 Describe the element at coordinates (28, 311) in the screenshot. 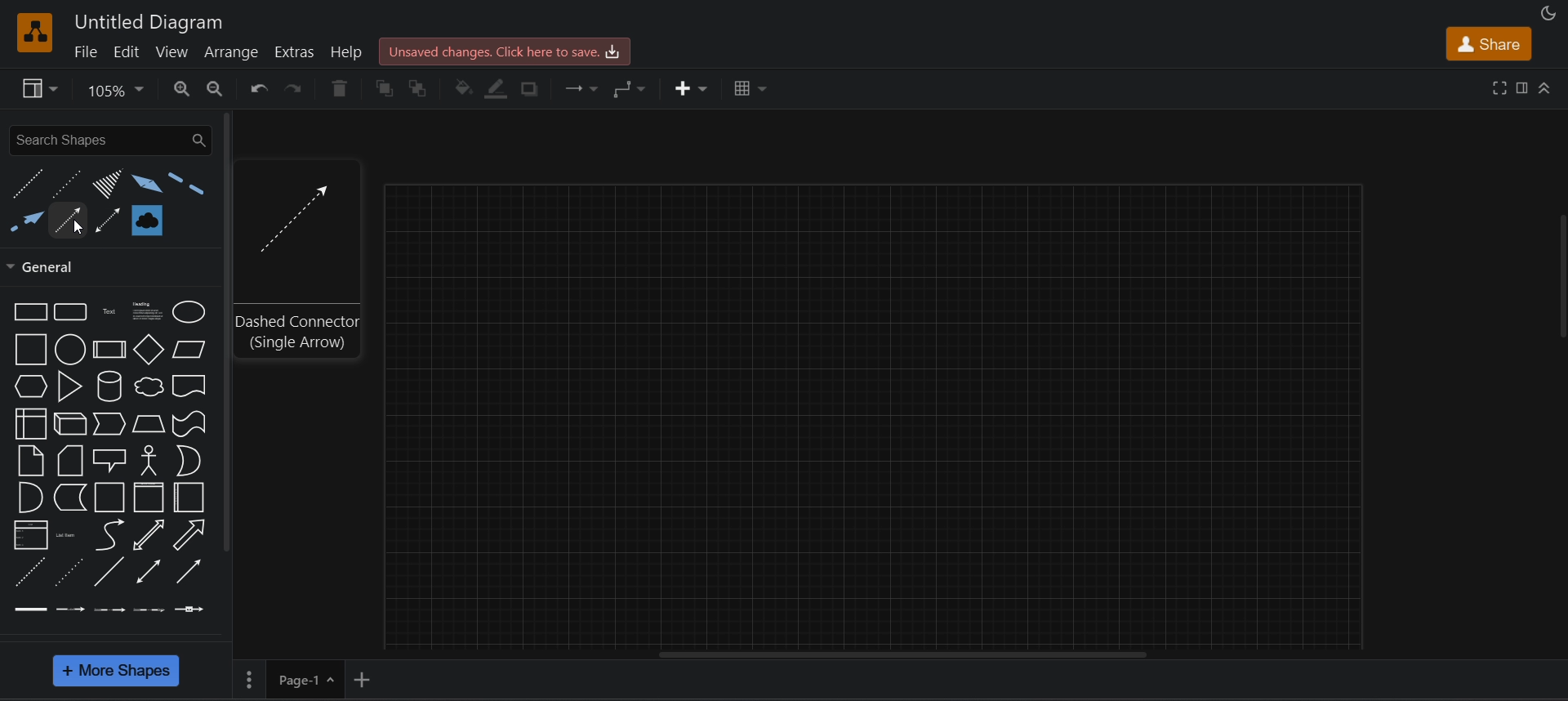

I see `rectangle` at that location.